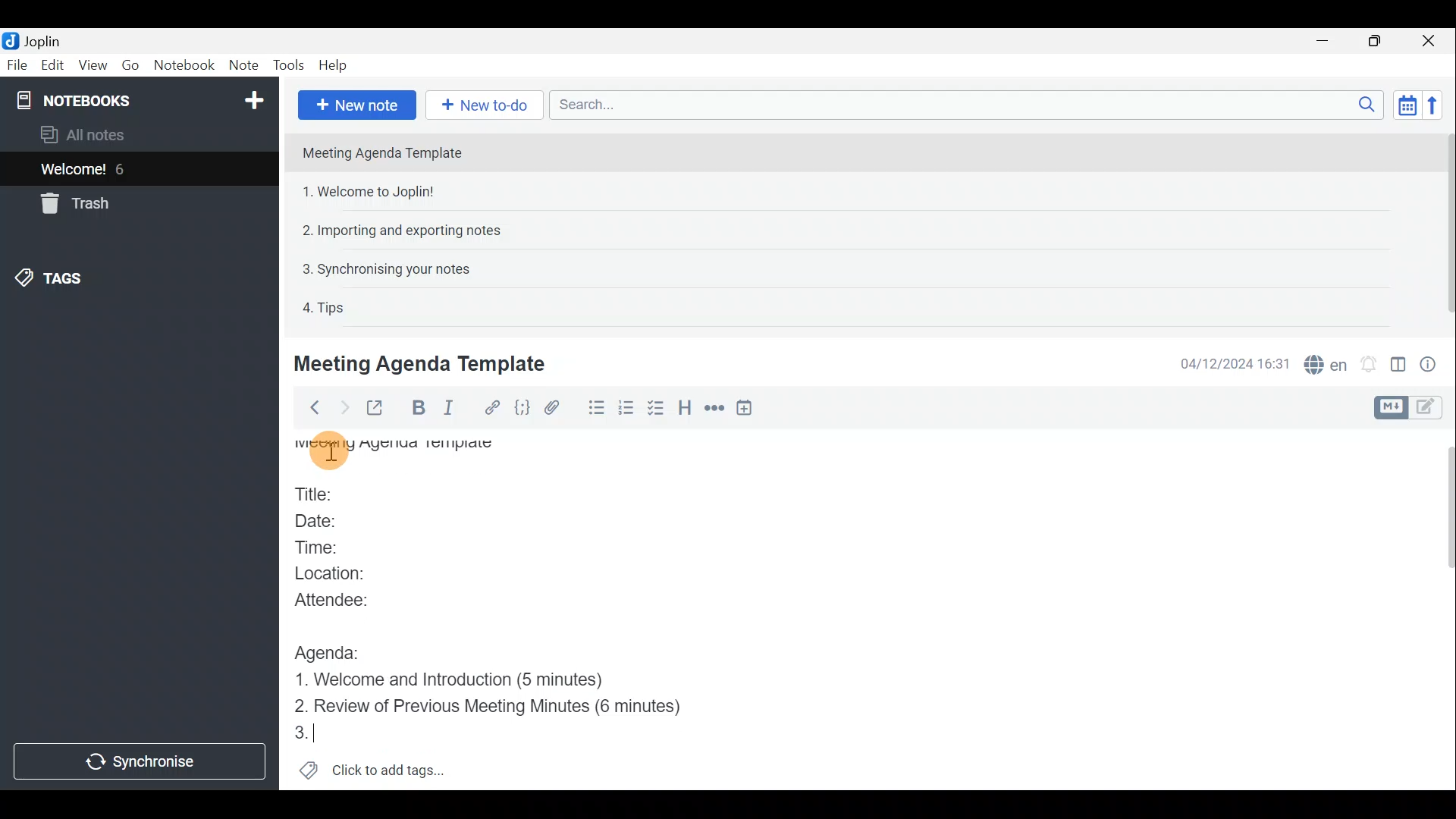  What do you see at coordinates (336, 65) in the screenshot?
I see `Help` at bounding box center [336, 65].